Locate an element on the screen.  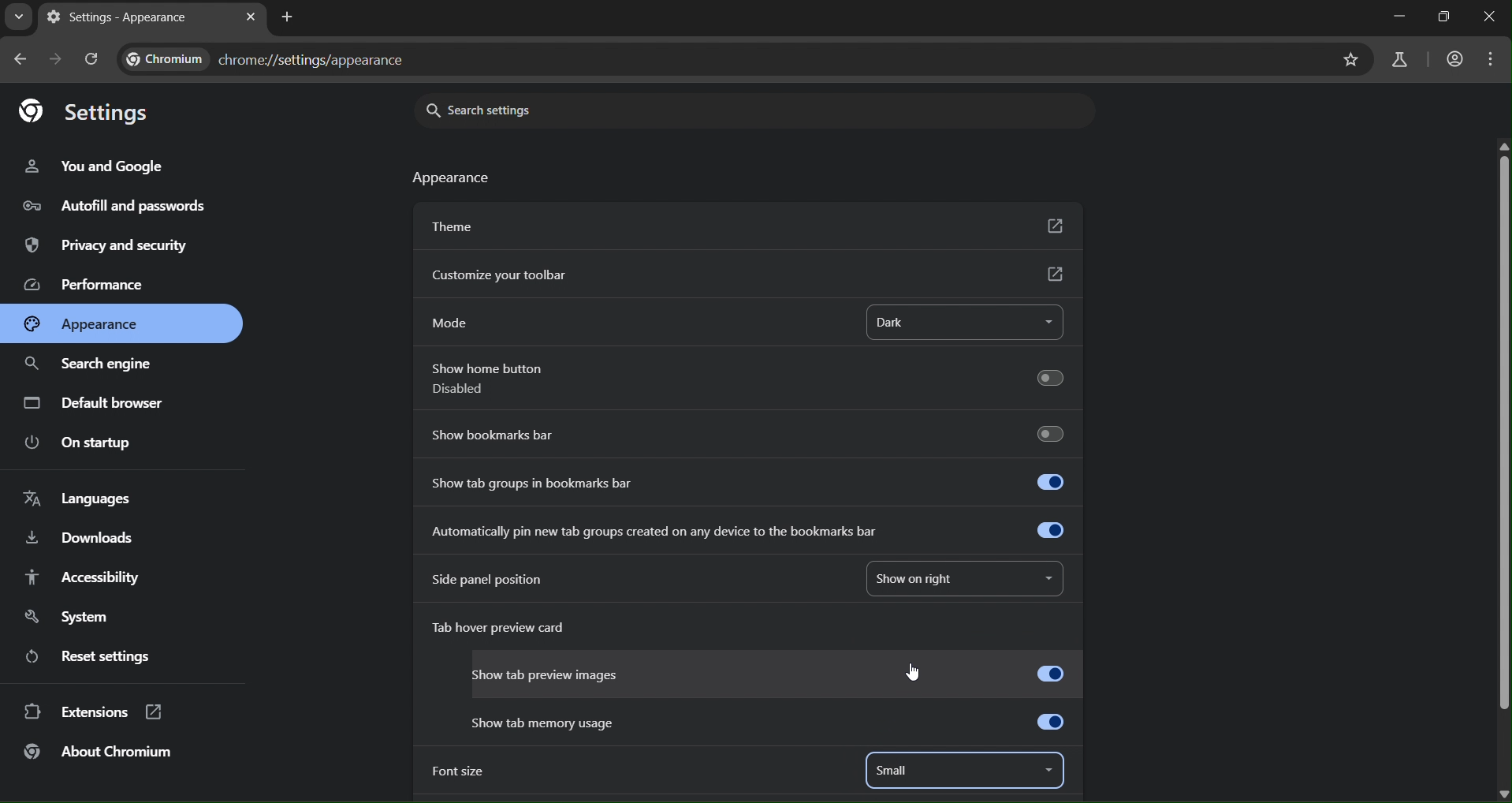
privacy & security is located at coordinates (103, 243).